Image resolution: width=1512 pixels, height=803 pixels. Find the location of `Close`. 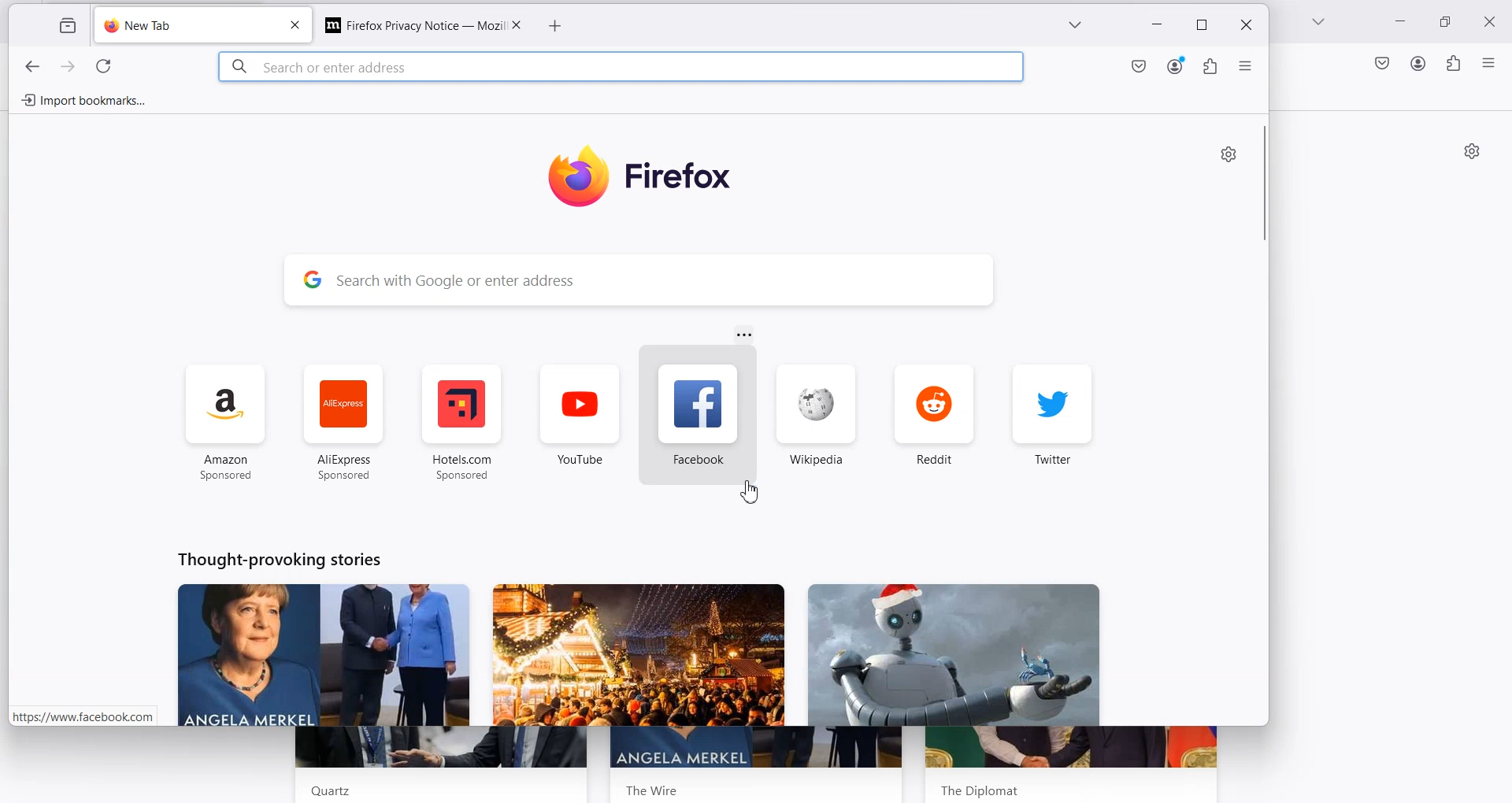

Close is located at coordinates (1494, 20).